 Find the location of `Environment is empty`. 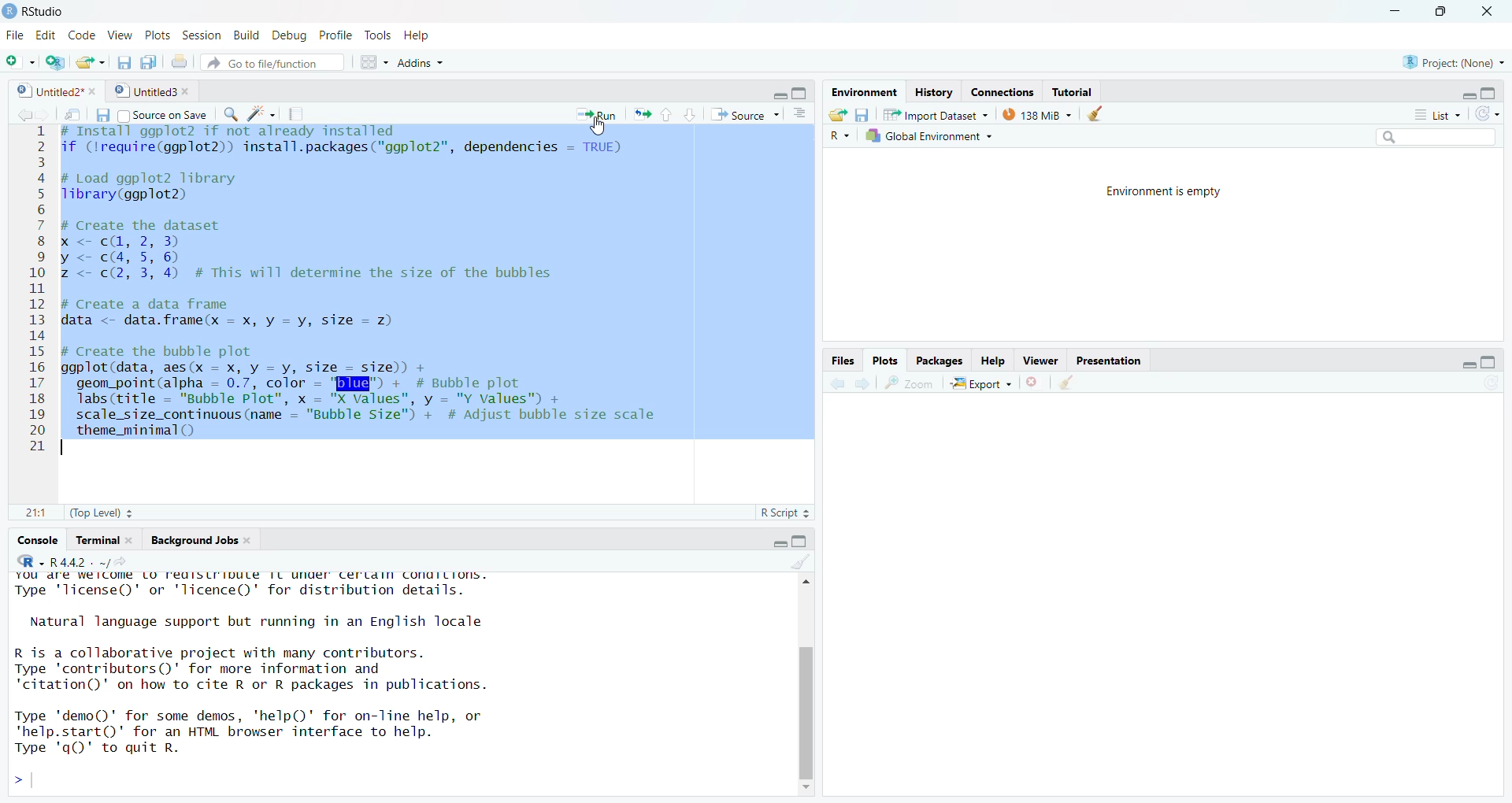

Environment is empty is located at coordinates (1163, 193).